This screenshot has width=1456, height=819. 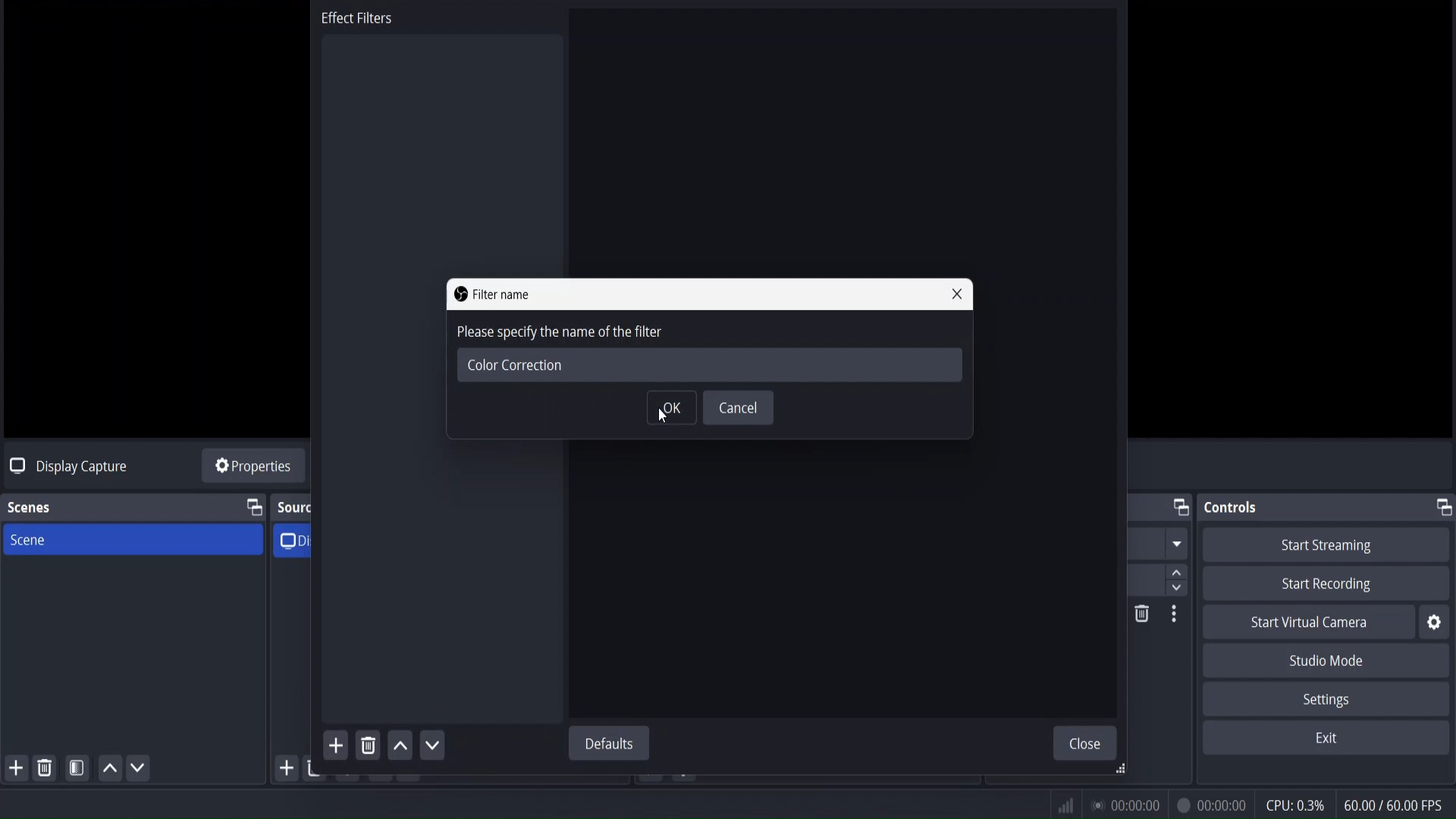 I want to click on effect filters, so click(x=358, y=21).